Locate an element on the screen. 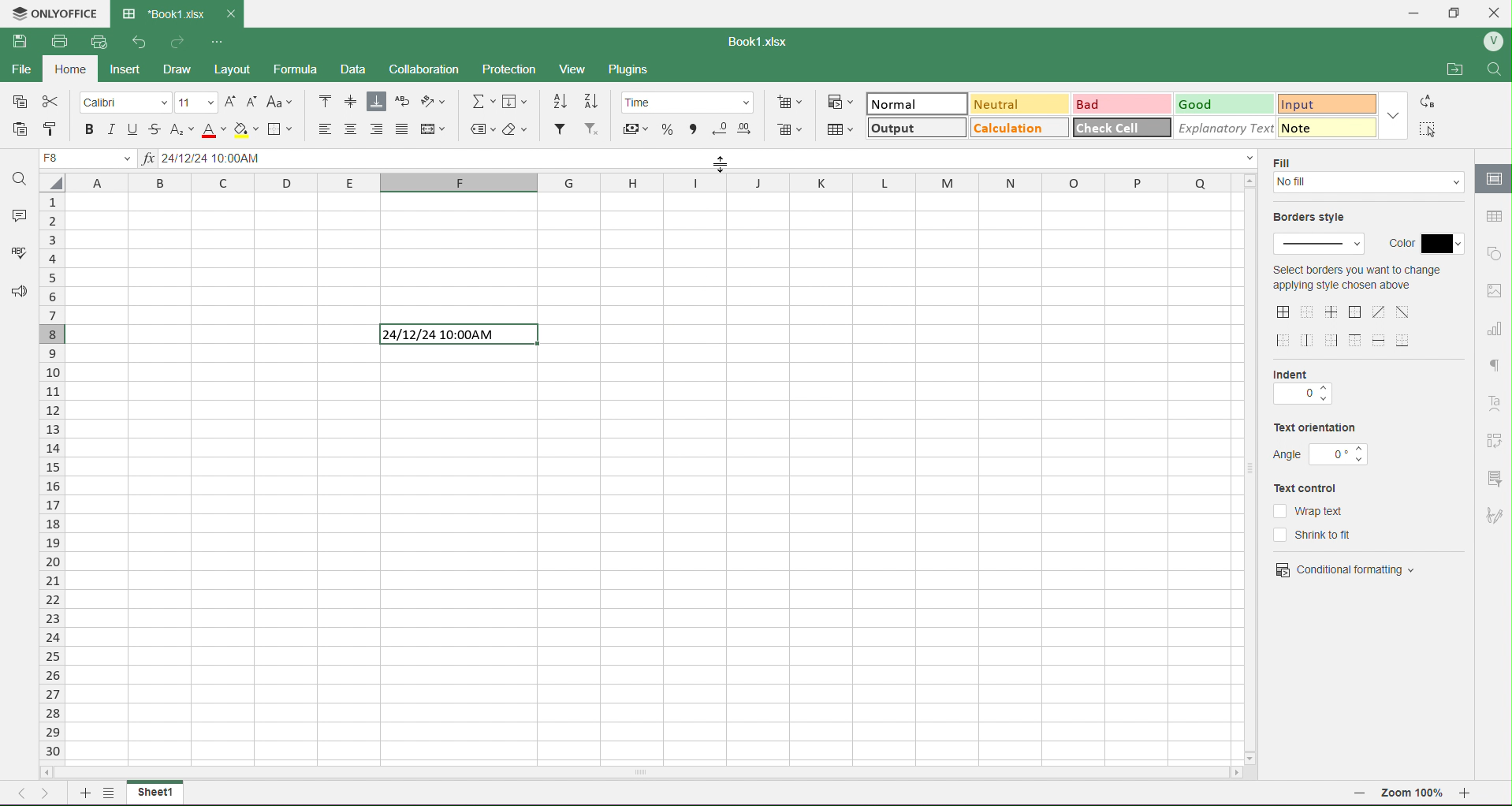 The height and width of the screenshot is (806, 1512). borders style is located at coordinates (1315, 218).